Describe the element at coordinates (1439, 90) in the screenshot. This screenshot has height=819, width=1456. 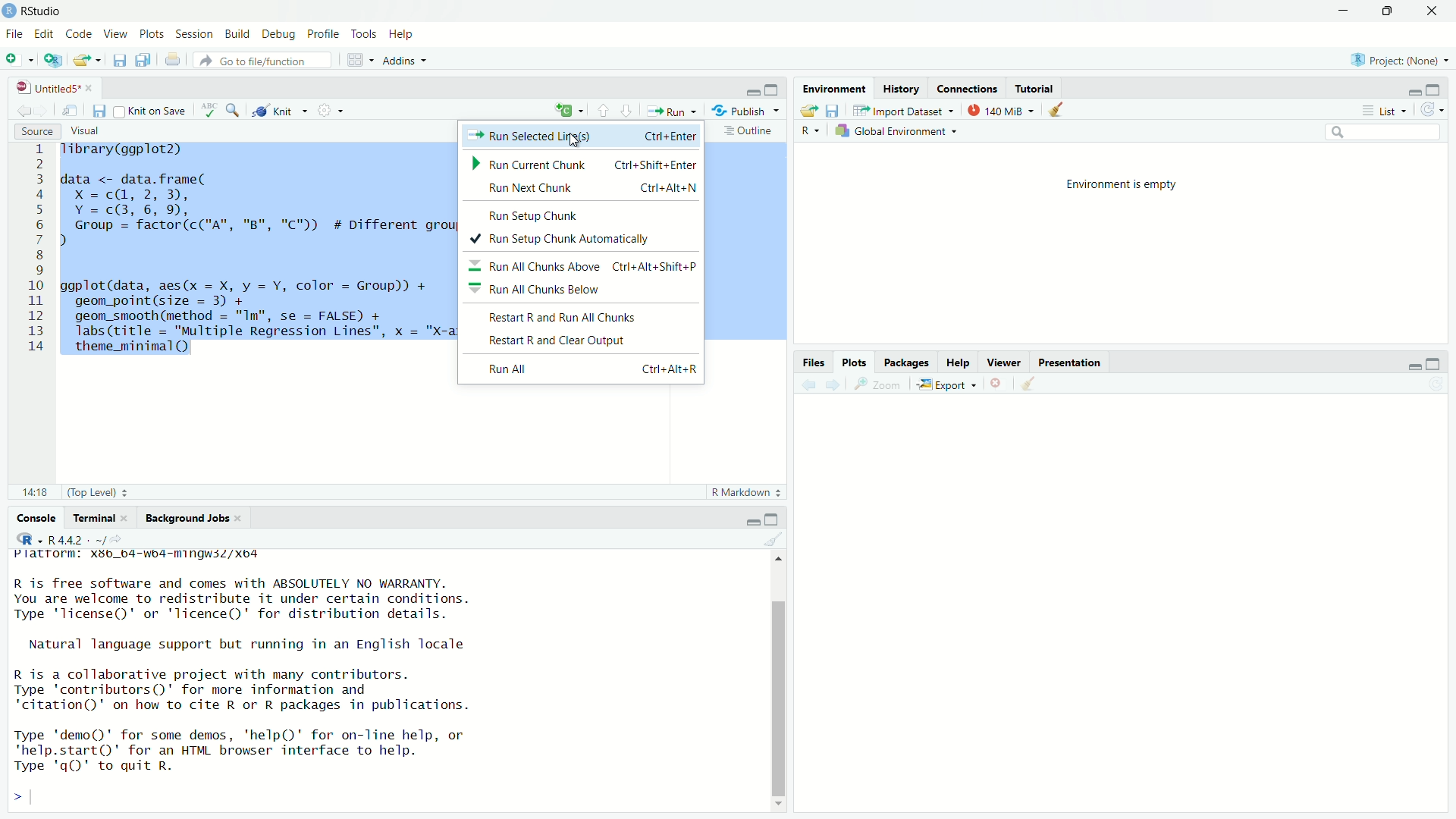
I see `maximise` at that location.